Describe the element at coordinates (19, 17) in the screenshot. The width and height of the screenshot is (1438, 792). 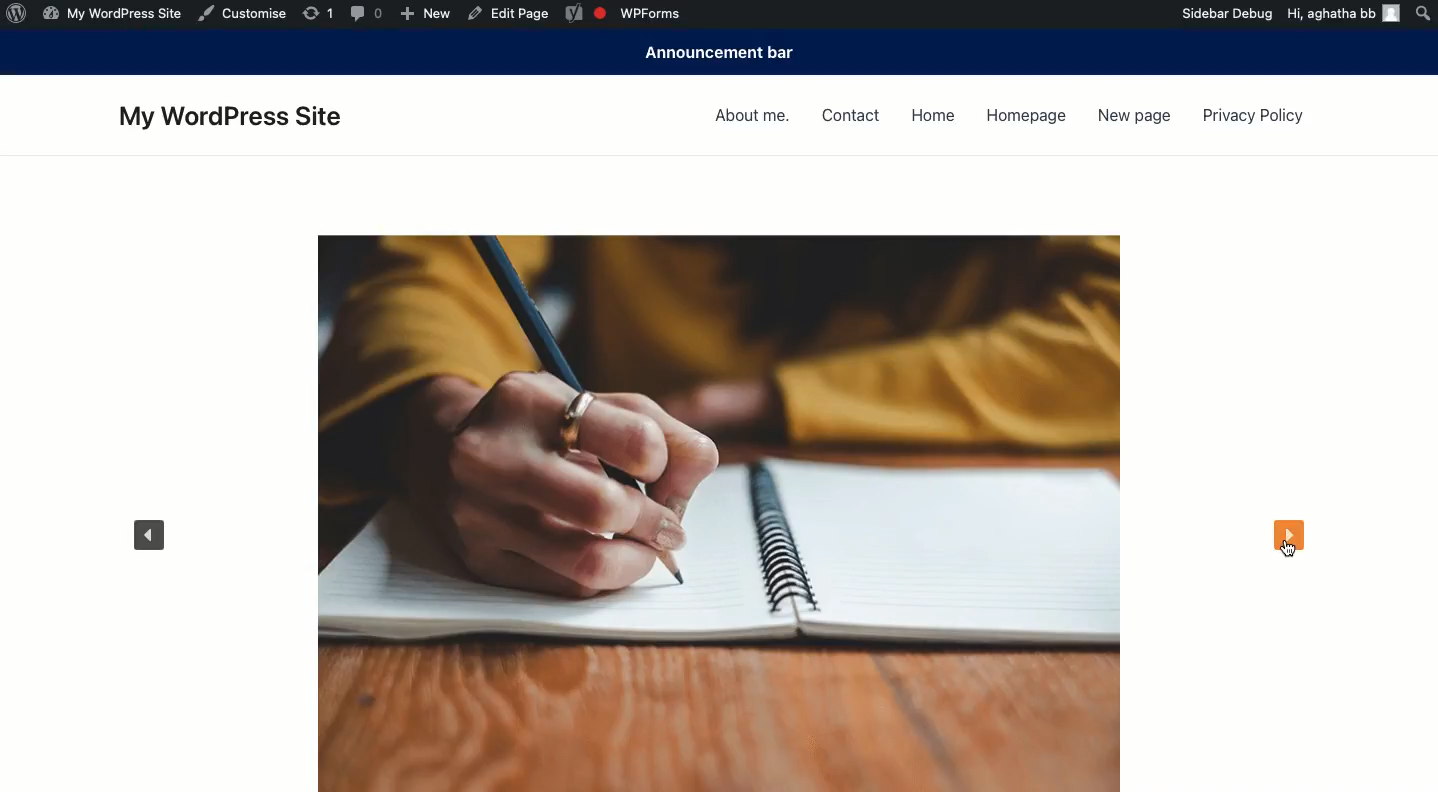
I see `Wordpress` at that location.